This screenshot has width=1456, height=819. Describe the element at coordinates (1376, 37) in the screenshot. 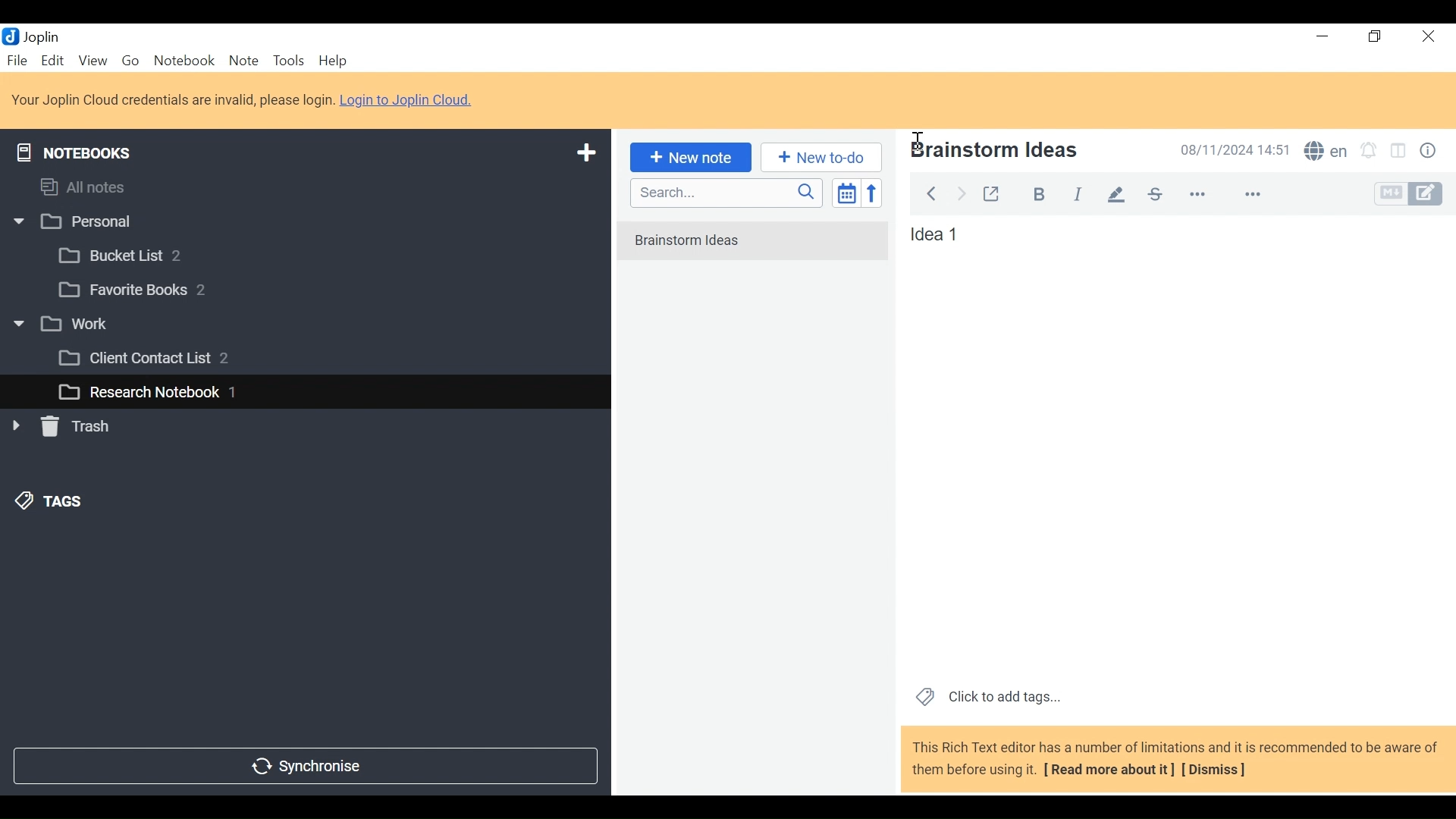

I see `Restore` at that location.